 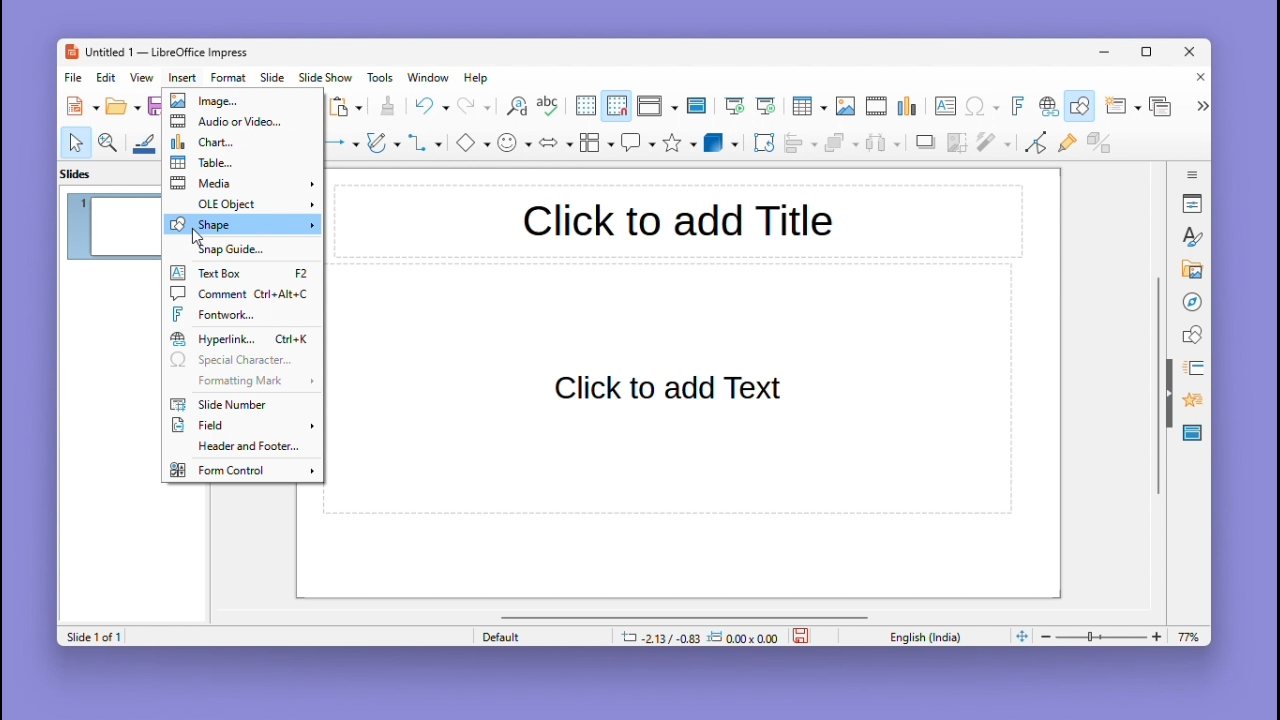 What do you see at coordinates (431, 106) in the screenshot?
I see `undo` at bounding box center [431, 106].